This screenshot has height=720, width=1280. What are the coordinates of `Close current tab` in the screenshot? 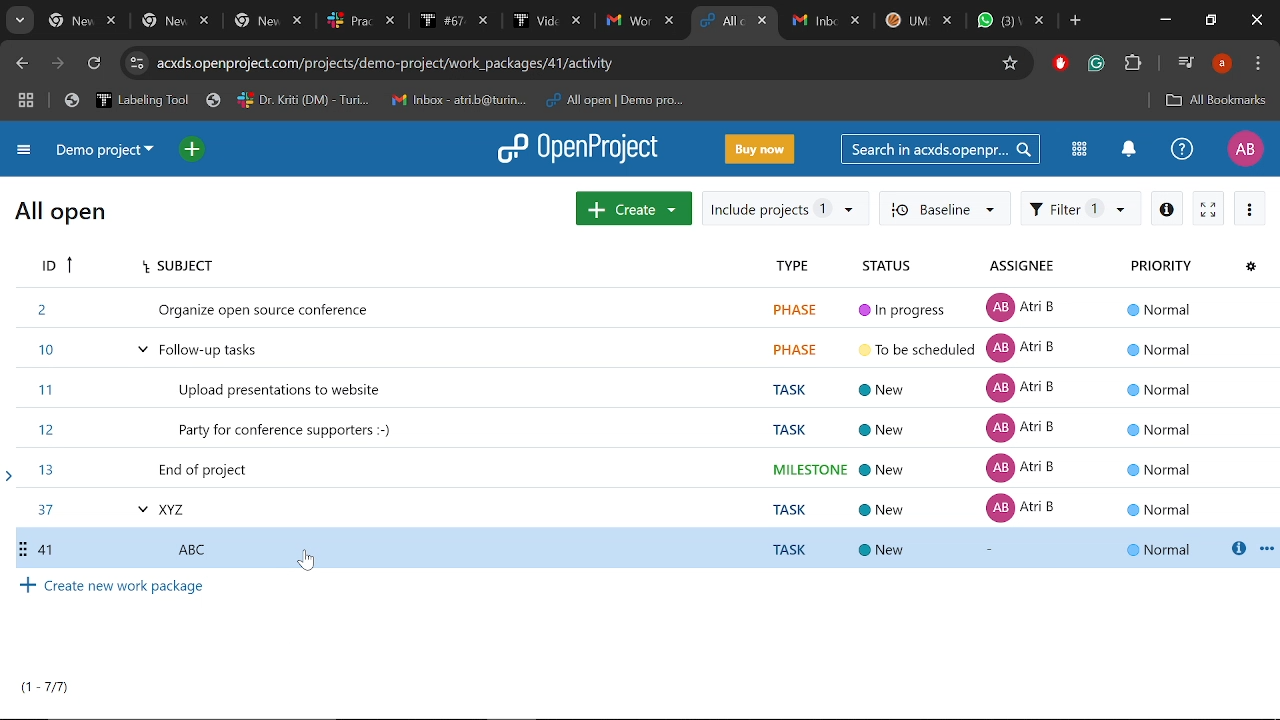 It's located at (764, 23).